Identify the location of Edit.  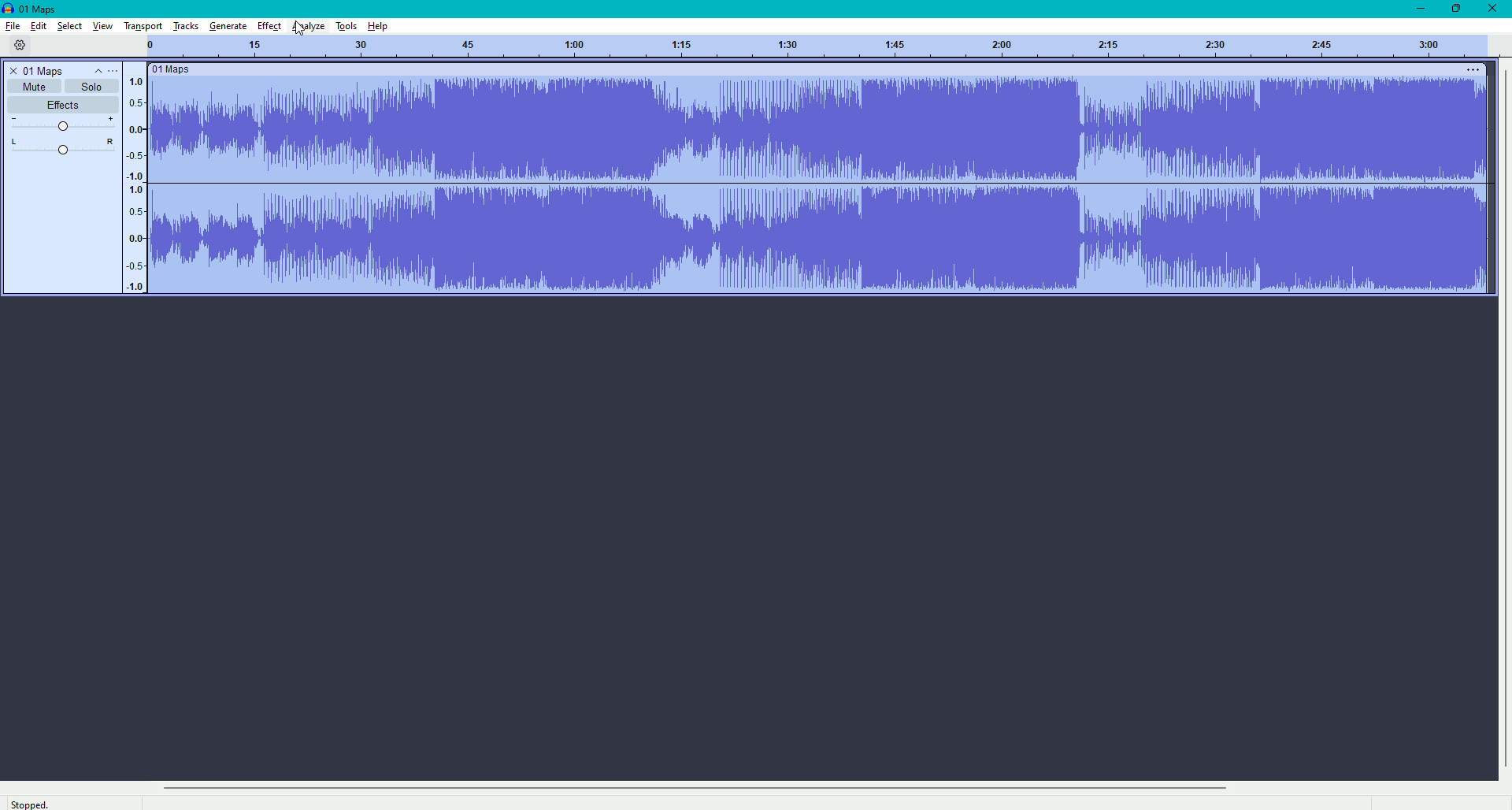
(37, 25).